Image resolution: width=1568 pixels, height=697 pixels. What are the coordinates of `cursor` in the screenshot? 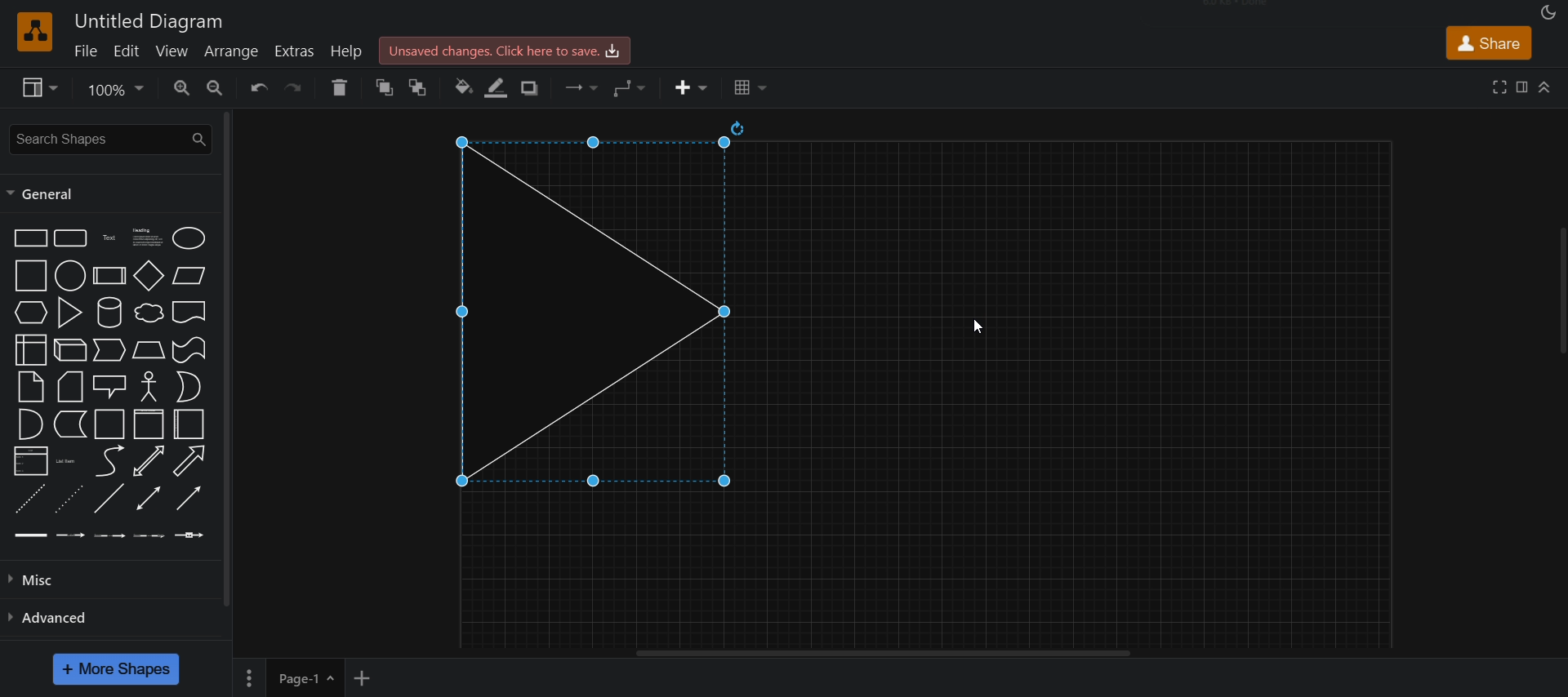 It's located at (982, 326).